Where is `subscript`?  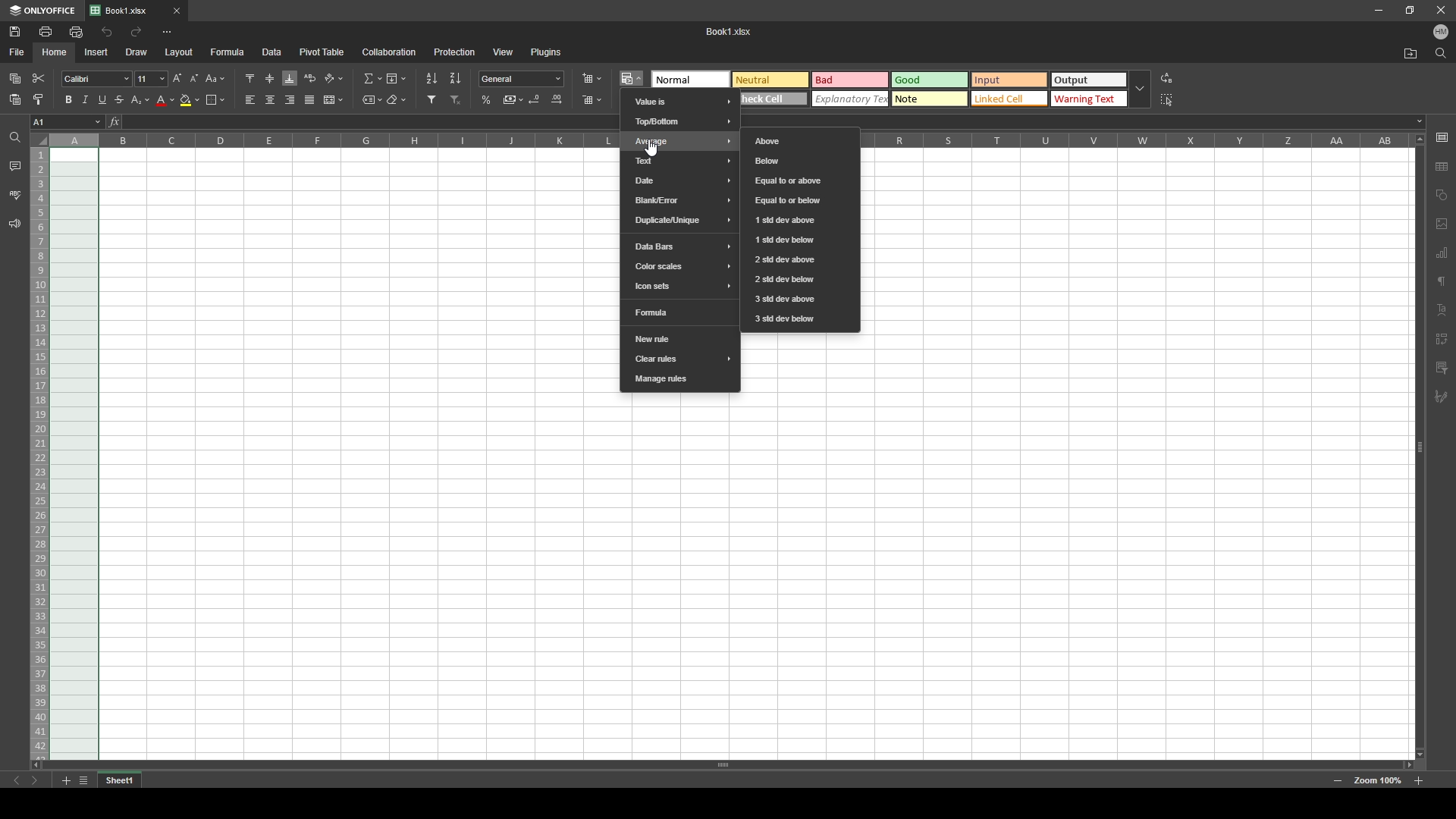 subscript is located at coordinates (141, 99).